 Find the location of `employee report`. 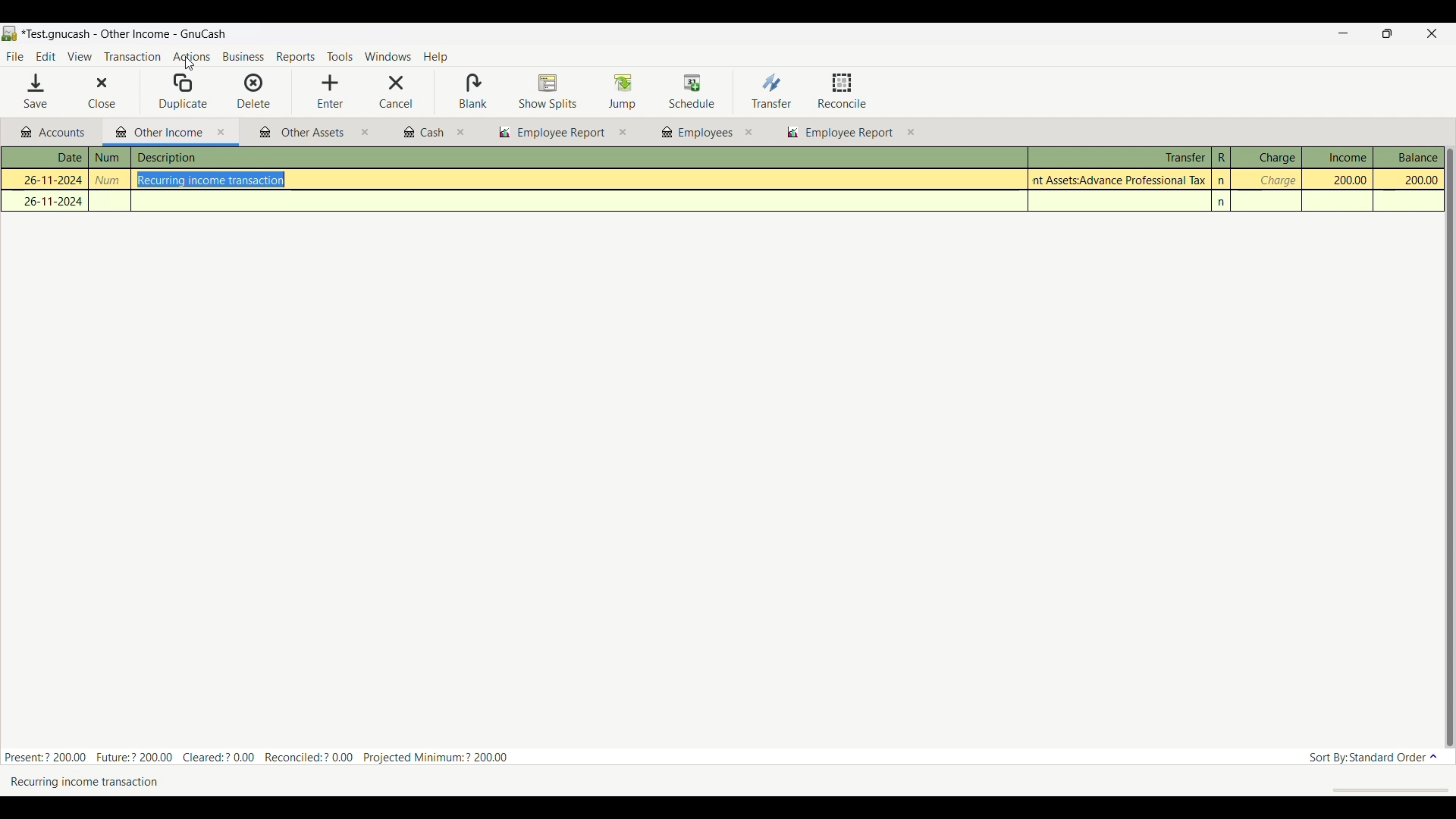

employee report is located at coordinates (551, 133).